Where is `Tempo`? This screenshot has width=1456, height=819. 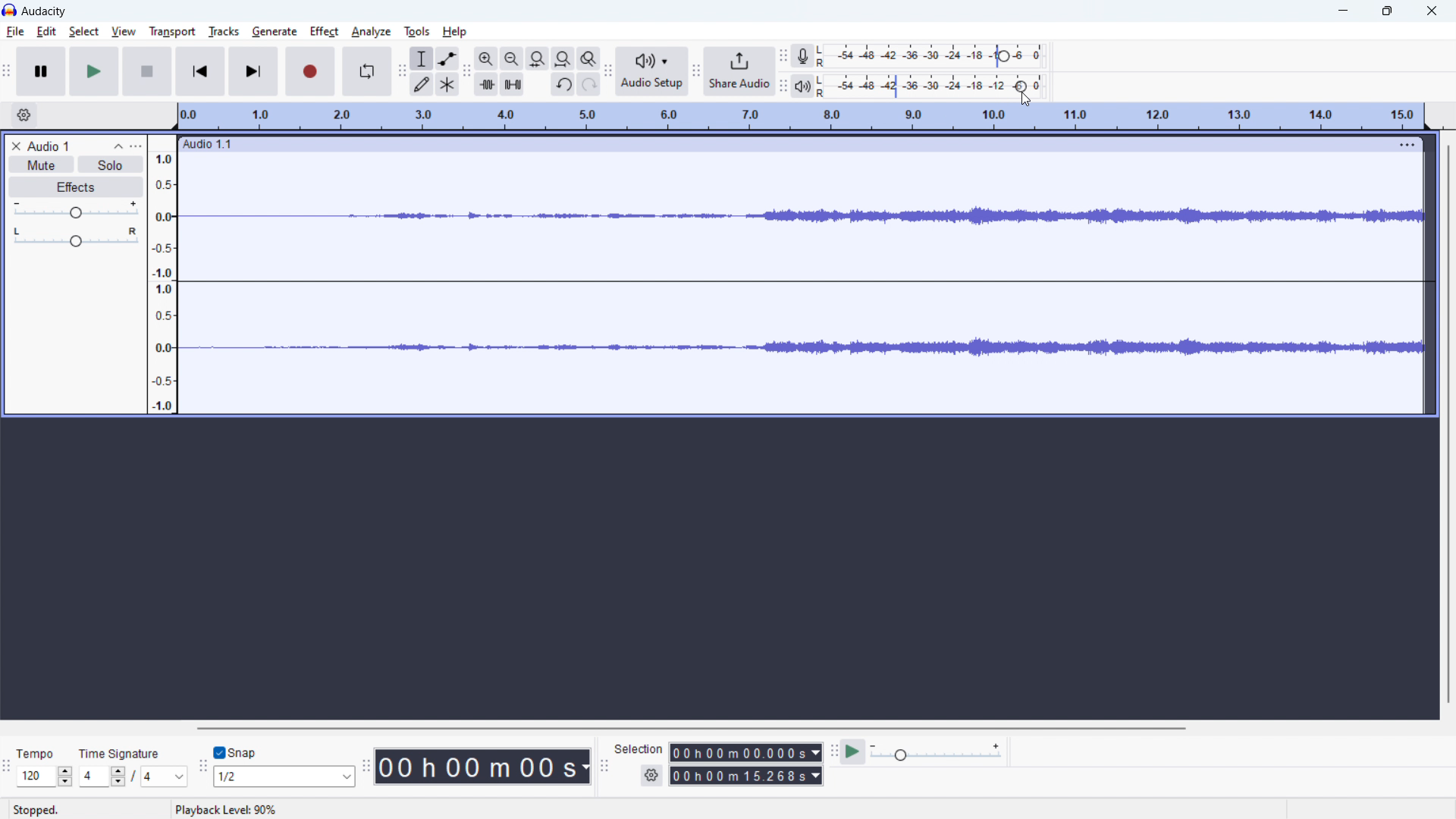 Tempo is located at coordinates (39, 752).